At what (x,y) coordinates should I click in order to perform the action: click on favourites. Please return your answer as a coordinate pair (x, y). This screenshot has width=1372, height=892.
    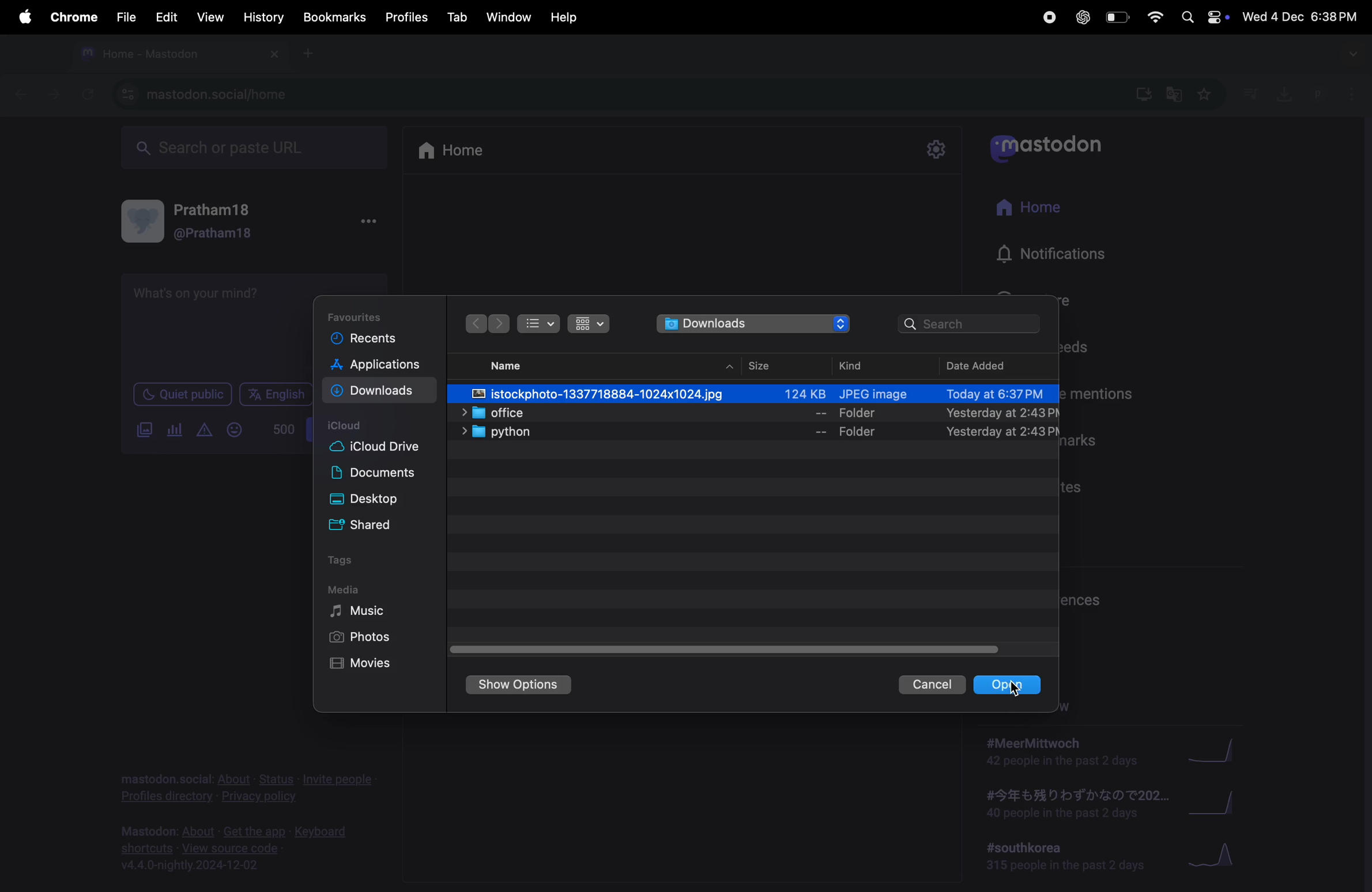
    Looking at the image, I should click on (1207, 95).